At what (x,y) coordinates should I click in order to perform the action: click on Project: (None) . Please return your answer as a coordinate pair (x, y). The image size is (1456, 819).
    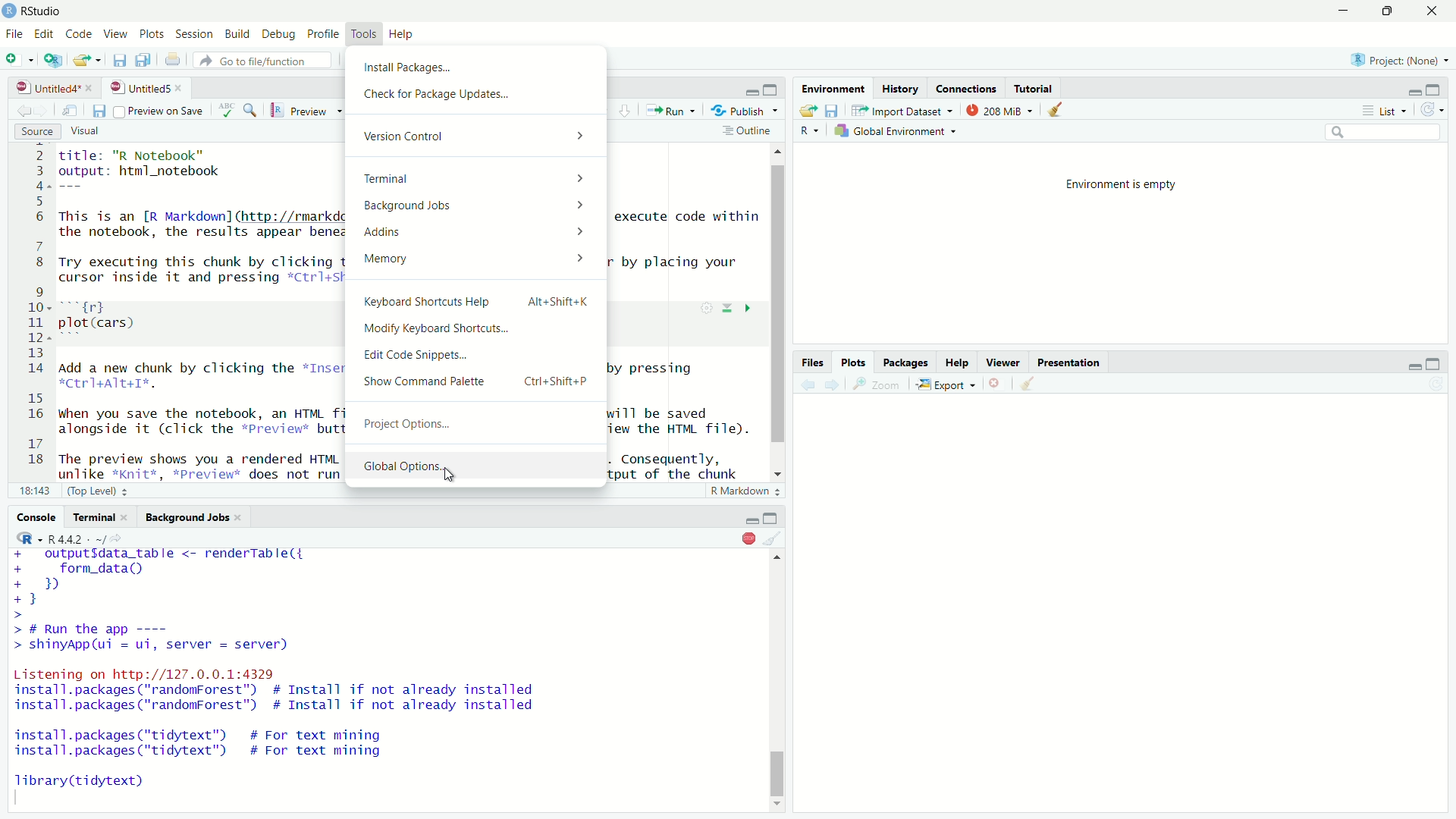
    Looking at the image, I should click on (1395, 58).